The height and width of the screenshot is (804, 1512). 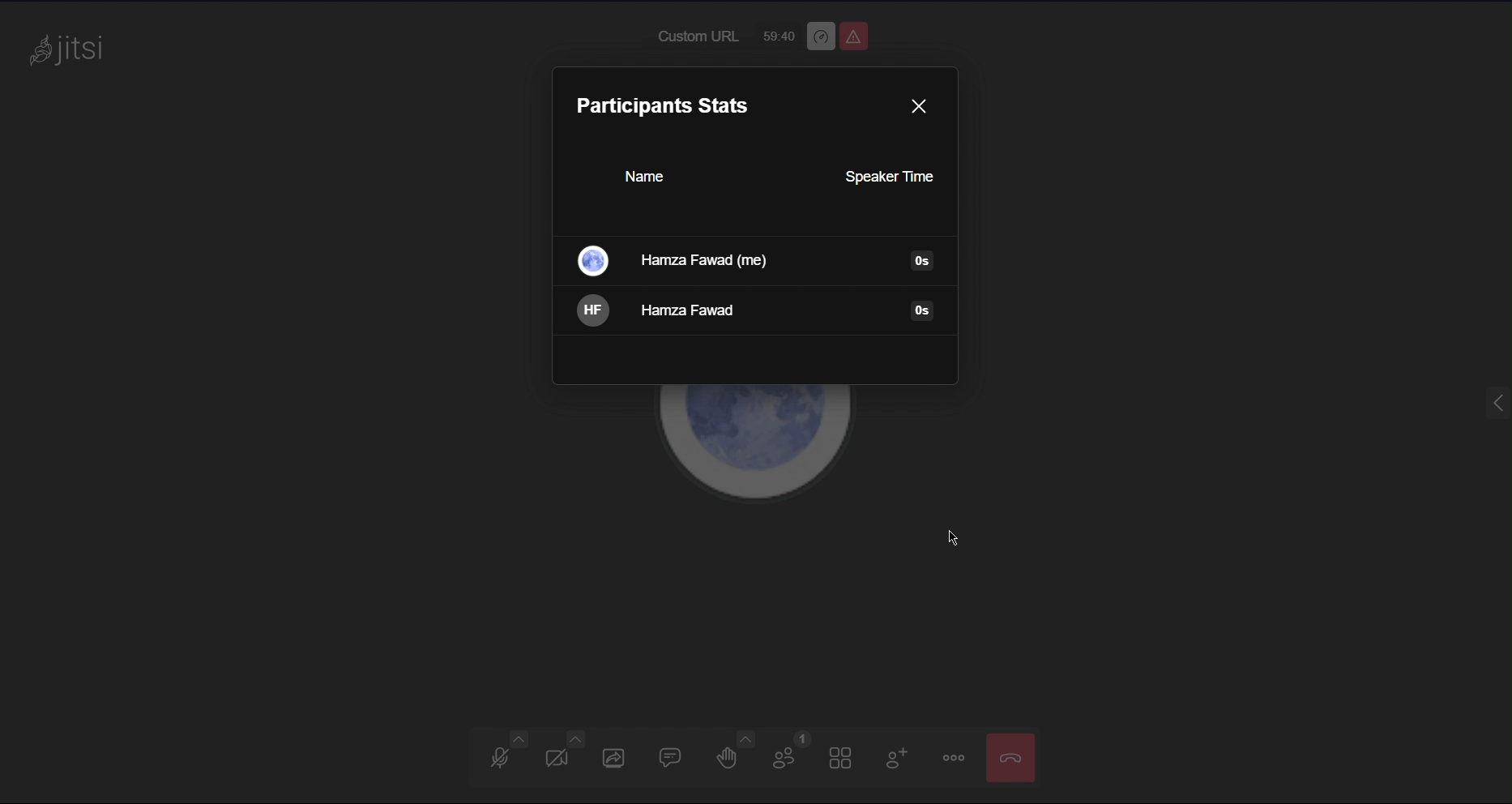 What do you see at coordinates (919, 260) in the screenshot?
I see `Information` at bounding box center [919, 260].